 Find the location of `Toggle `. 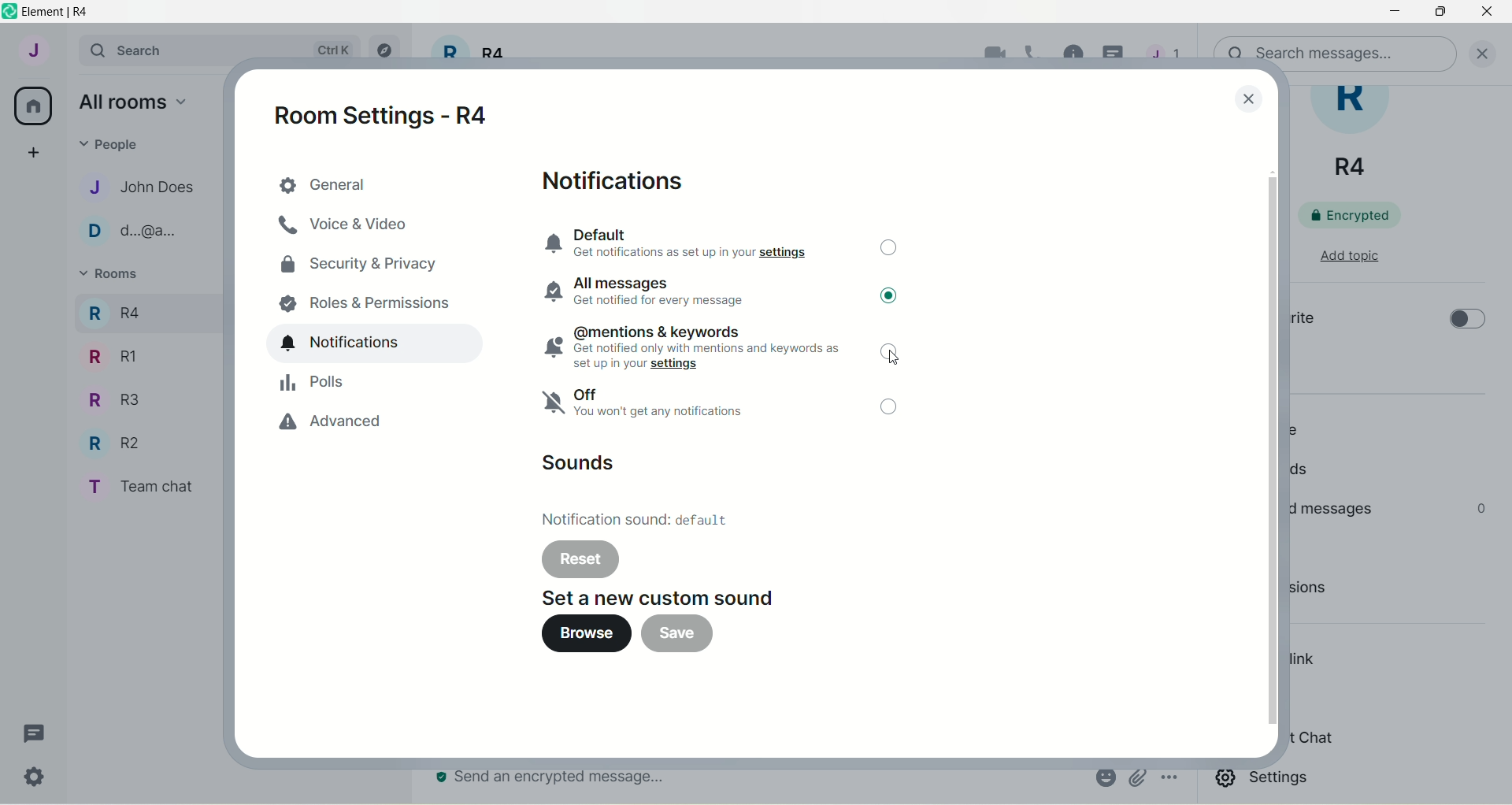

Toggle  is located at coordinates (891, 410).